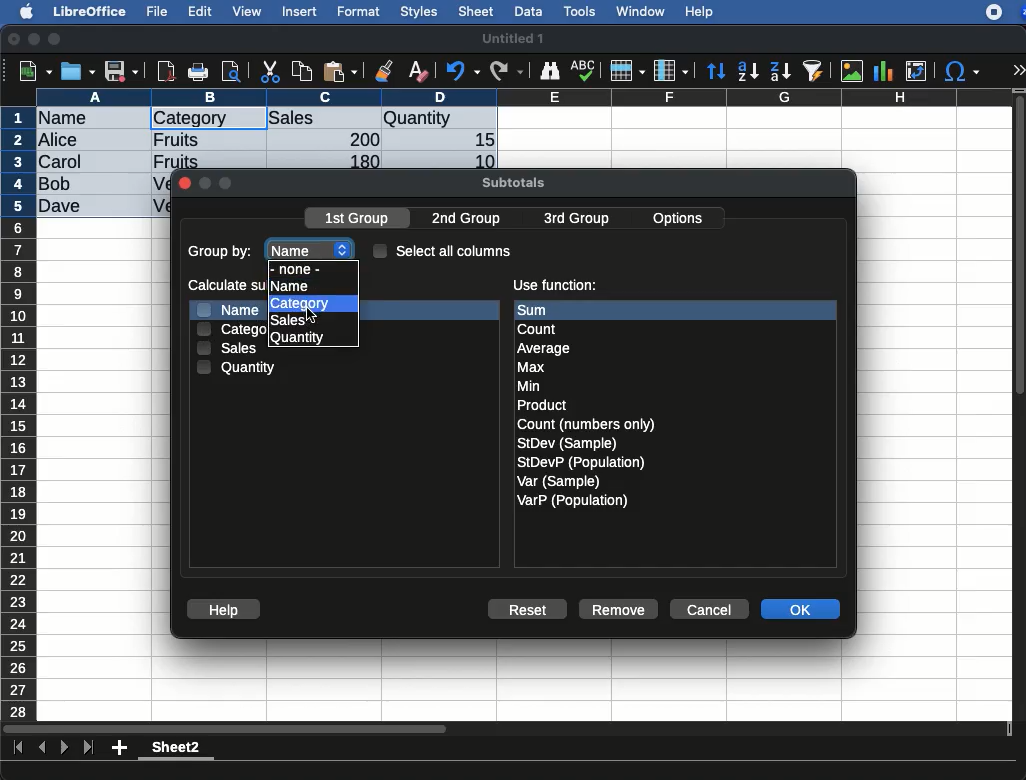 This screenshot has width=1026, height=780. What do you see at coordinates (289, 285) in the screenshot?
I see `name` at bounding box center [289, 285].